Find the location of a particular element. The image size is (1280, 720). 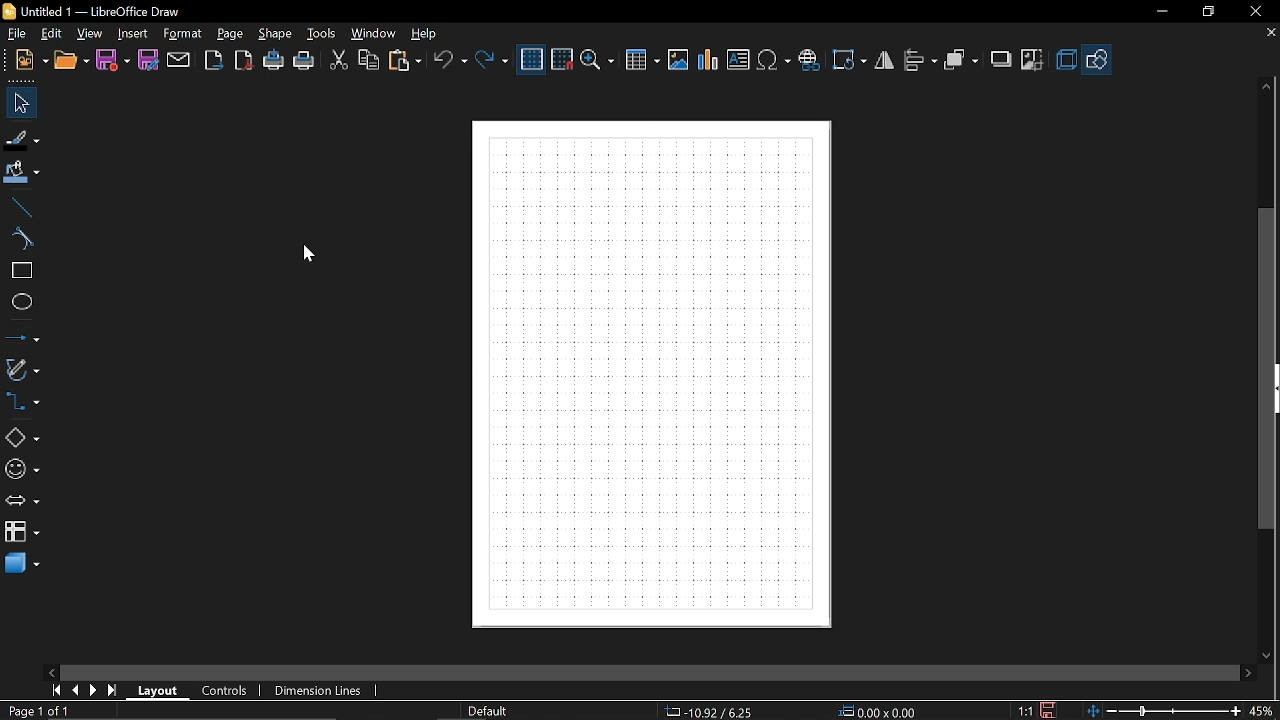

controls is located at coordinates (226, 691).